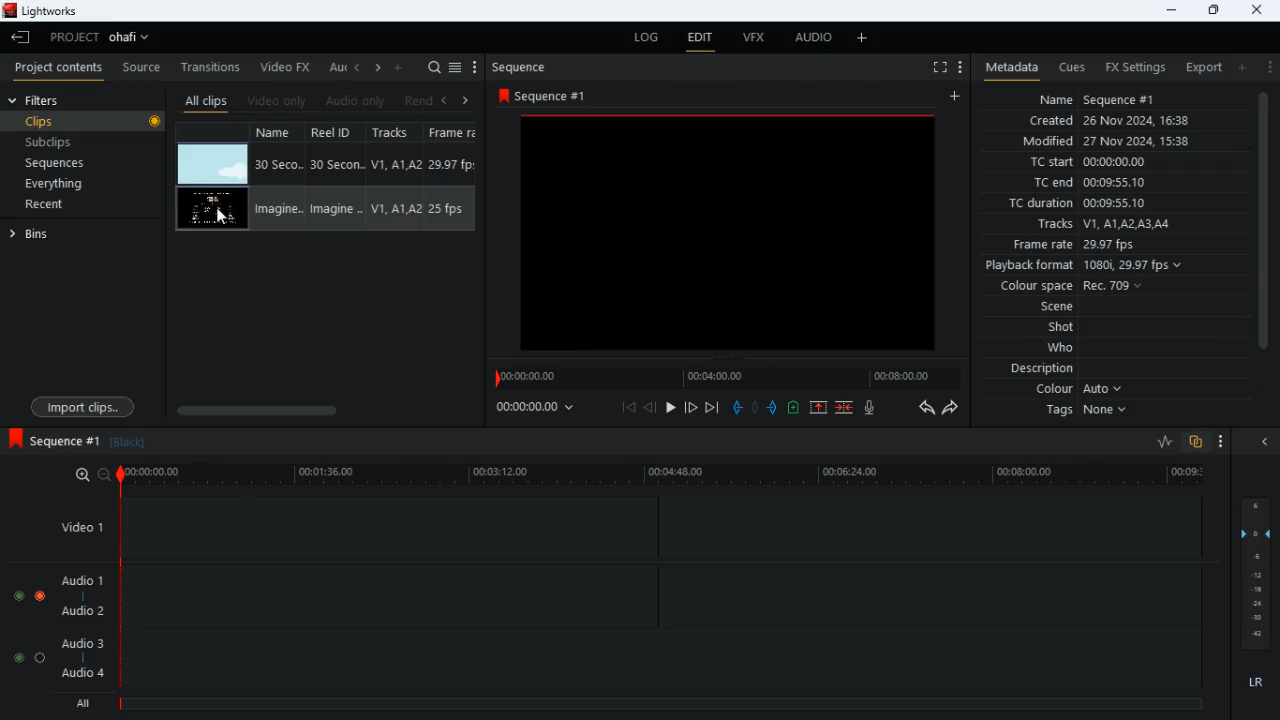 This screenshot has height=720, width=1280. What do you see at coordinates (358, 99) in the screenshot?
I see `audio only` at bounding box center [358, 99].